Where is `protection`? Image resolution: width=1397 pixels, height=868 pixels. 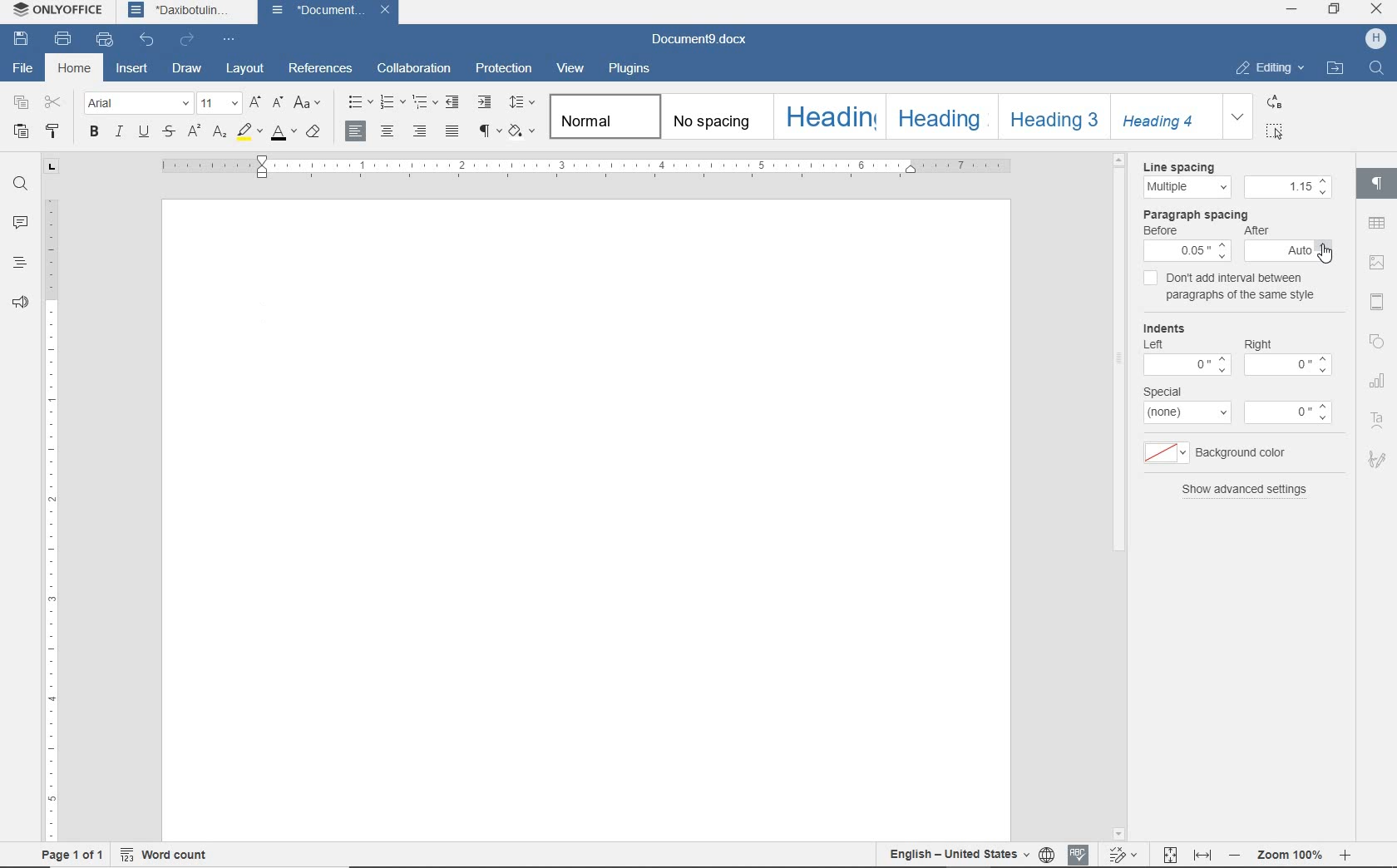
protection is located at coordinates (506, 69).